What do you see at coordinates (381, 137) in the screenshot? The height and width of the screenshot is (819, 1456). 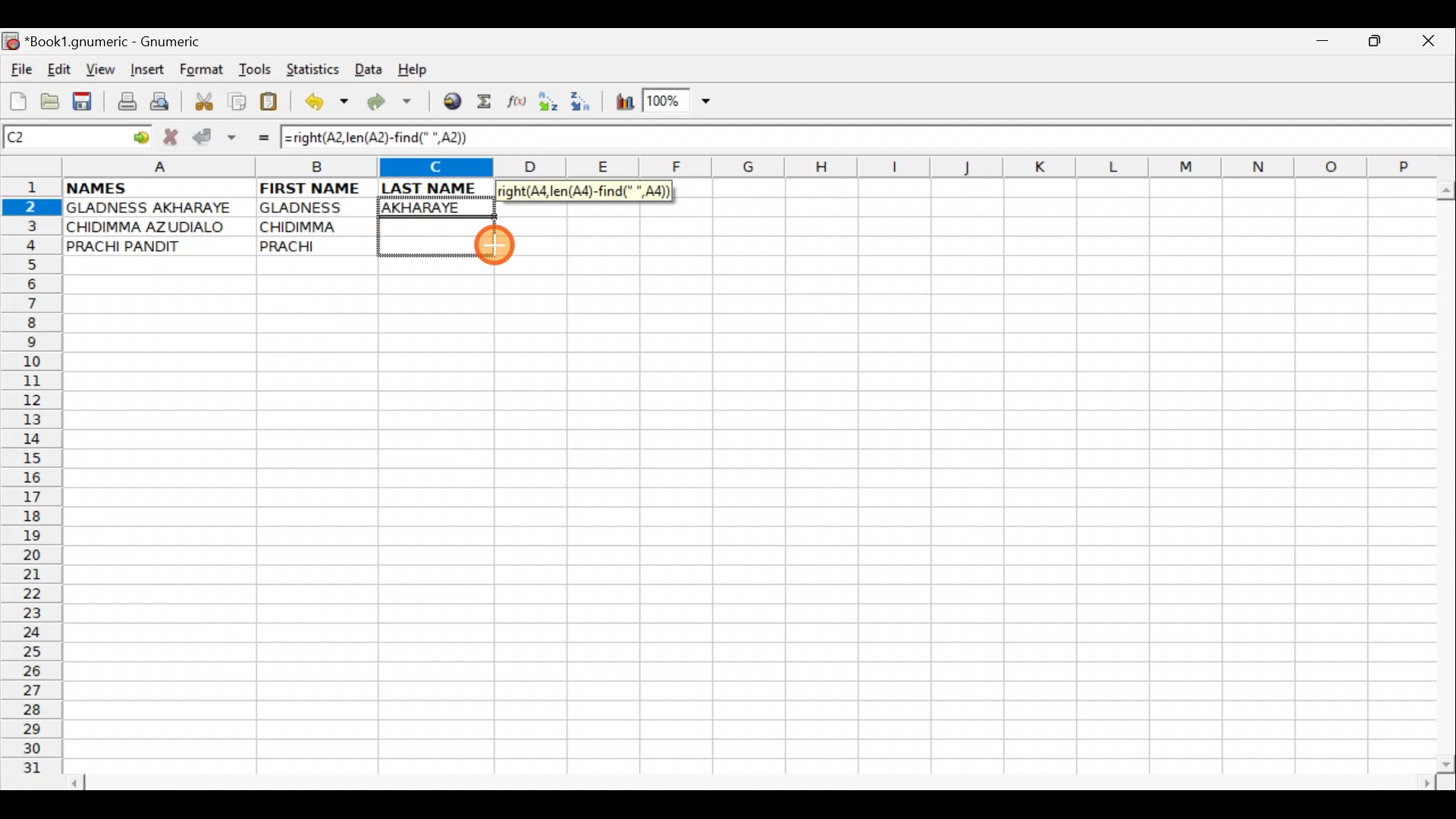 I see `=right(A2, len(A2)-find(" ",A2))` at bounding box center [381, 137].